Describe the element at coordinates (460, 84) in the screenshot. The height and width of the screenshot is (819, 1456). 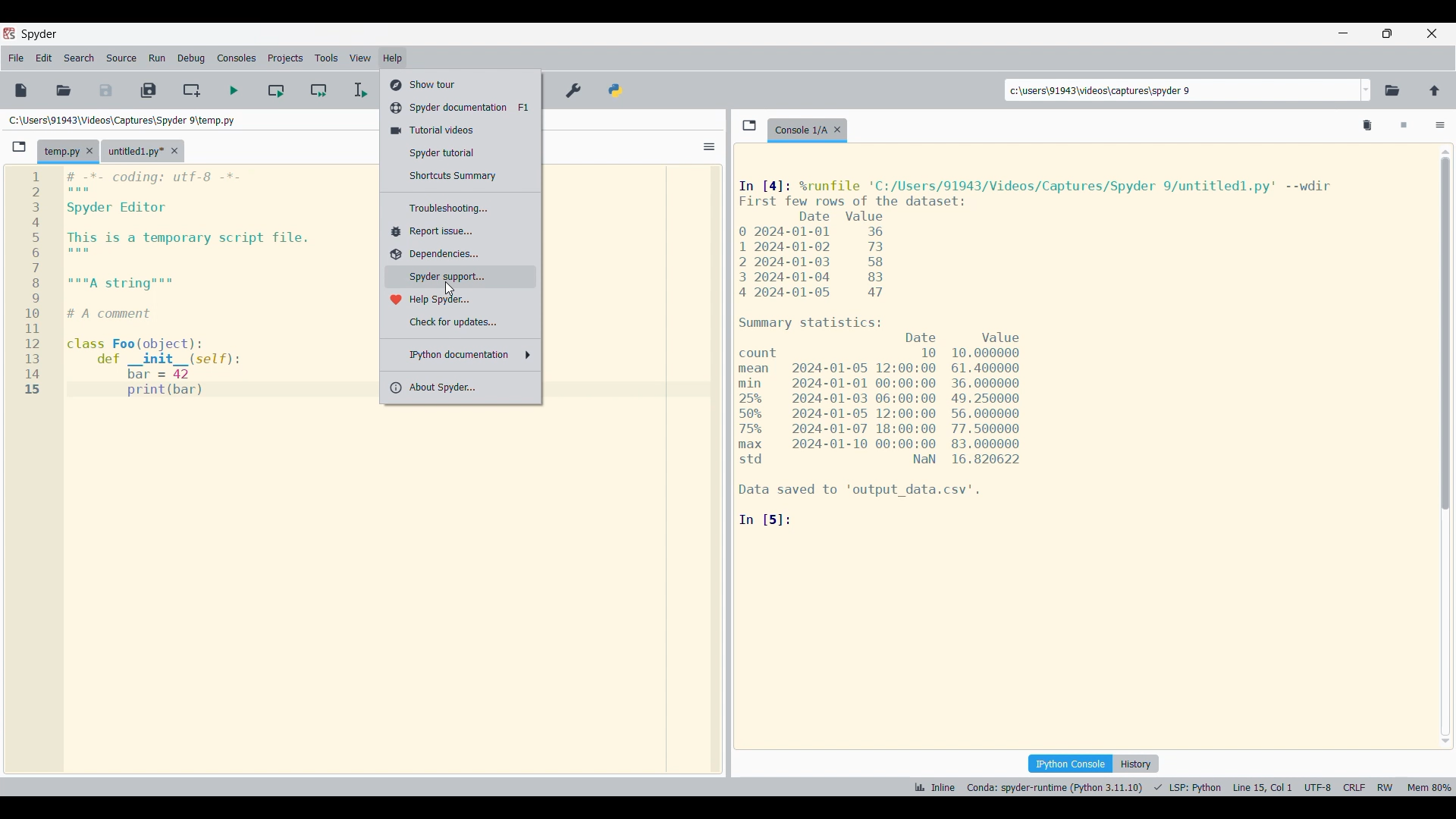
I see `Show tour` at that location.